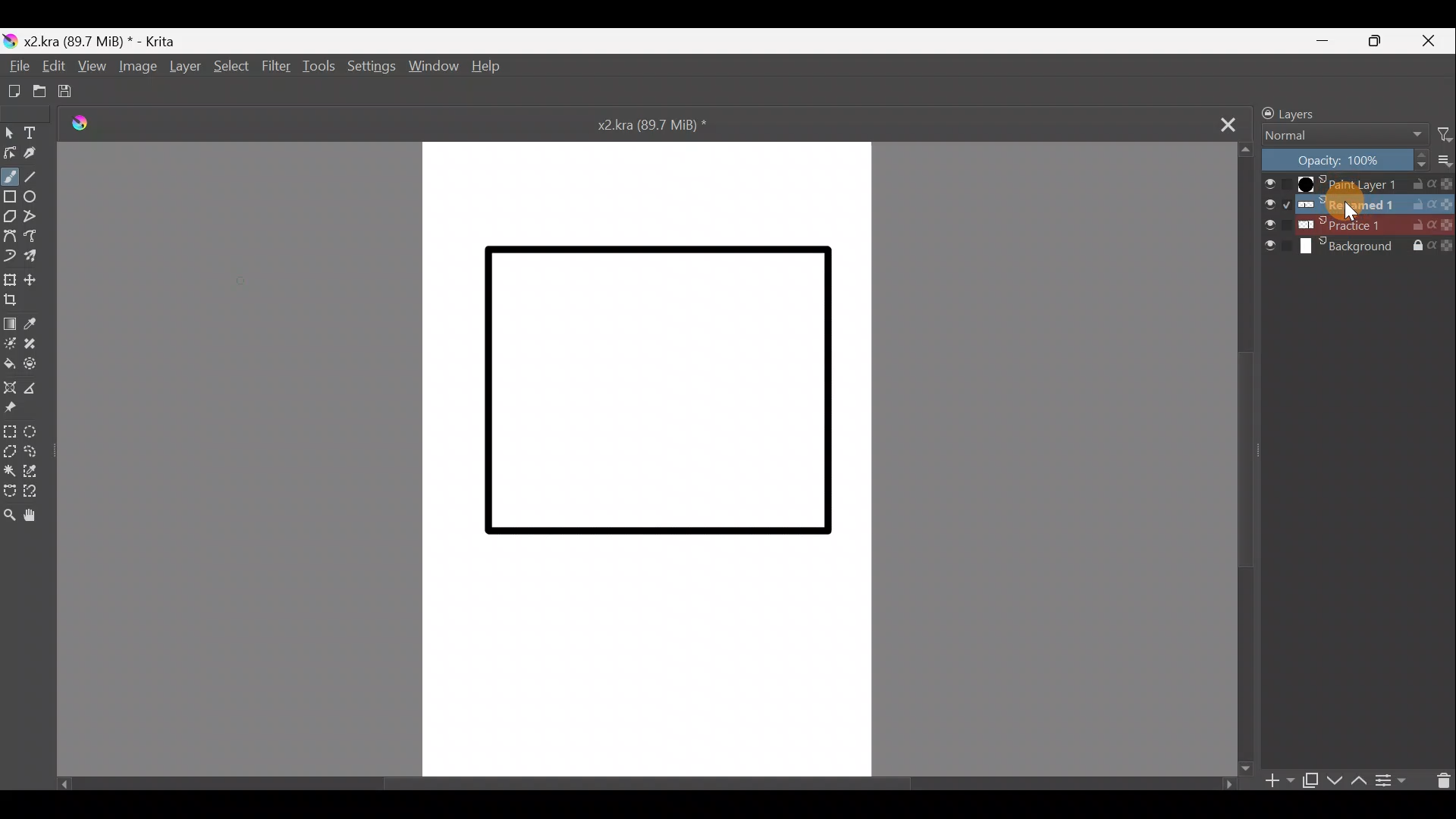 This screenshot has height=819, width=1456. I want to click on Rectangular selection tool, so click(11, 431).